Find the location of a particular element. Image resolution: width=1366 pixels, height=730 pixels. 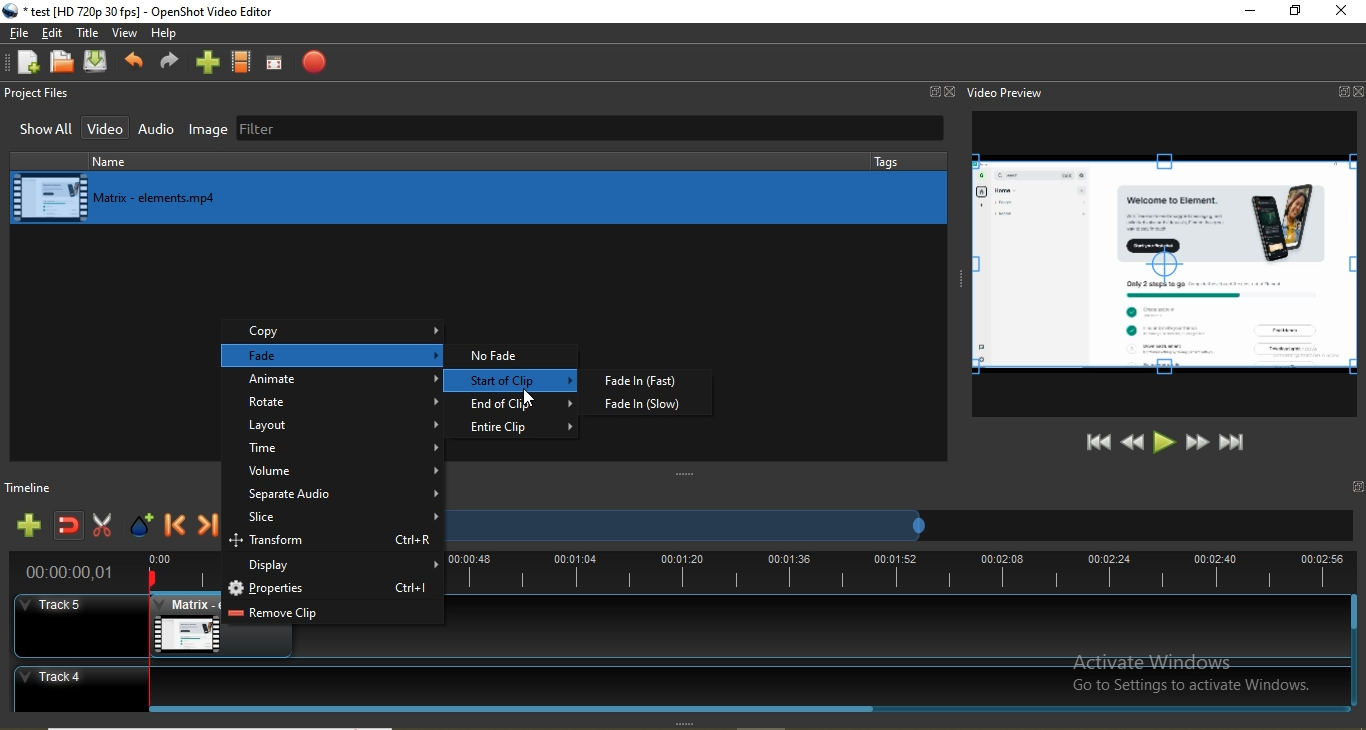

fade in (slow) is located at coordinates (654, 404).